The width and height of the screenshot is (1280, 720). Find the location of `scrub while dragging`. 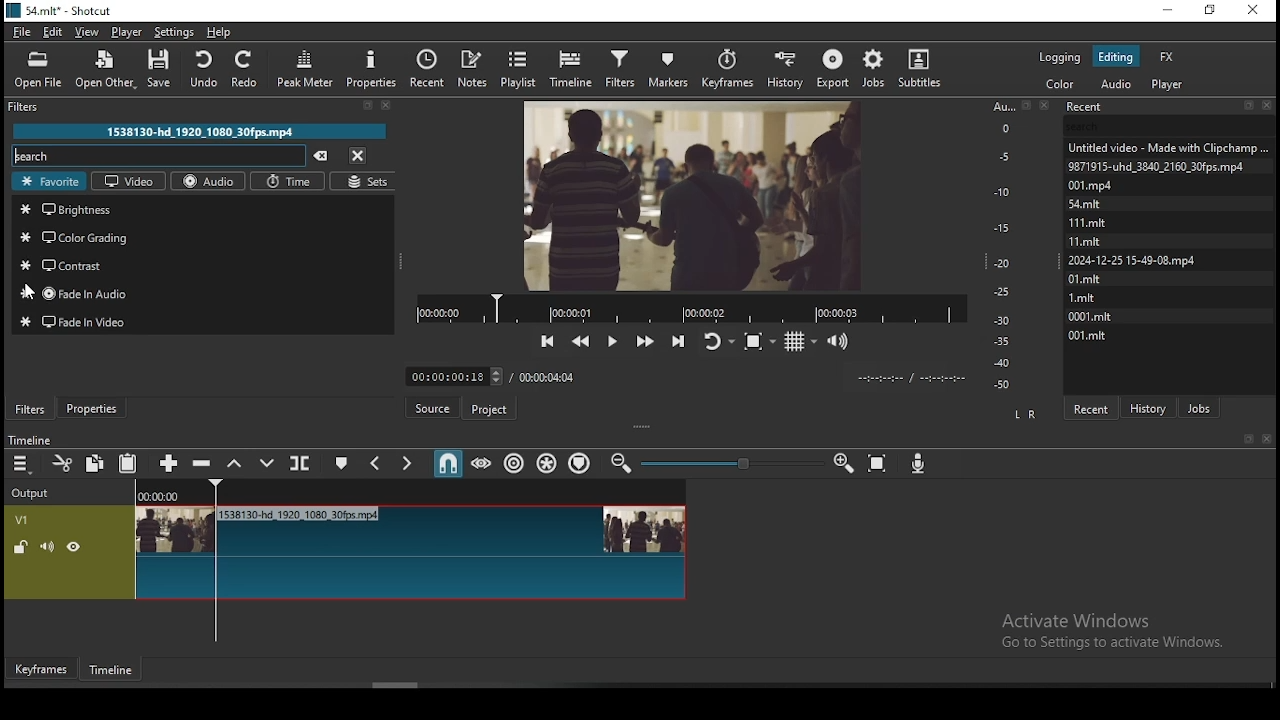

scrub while dragging is located at coordinates (482, 465).